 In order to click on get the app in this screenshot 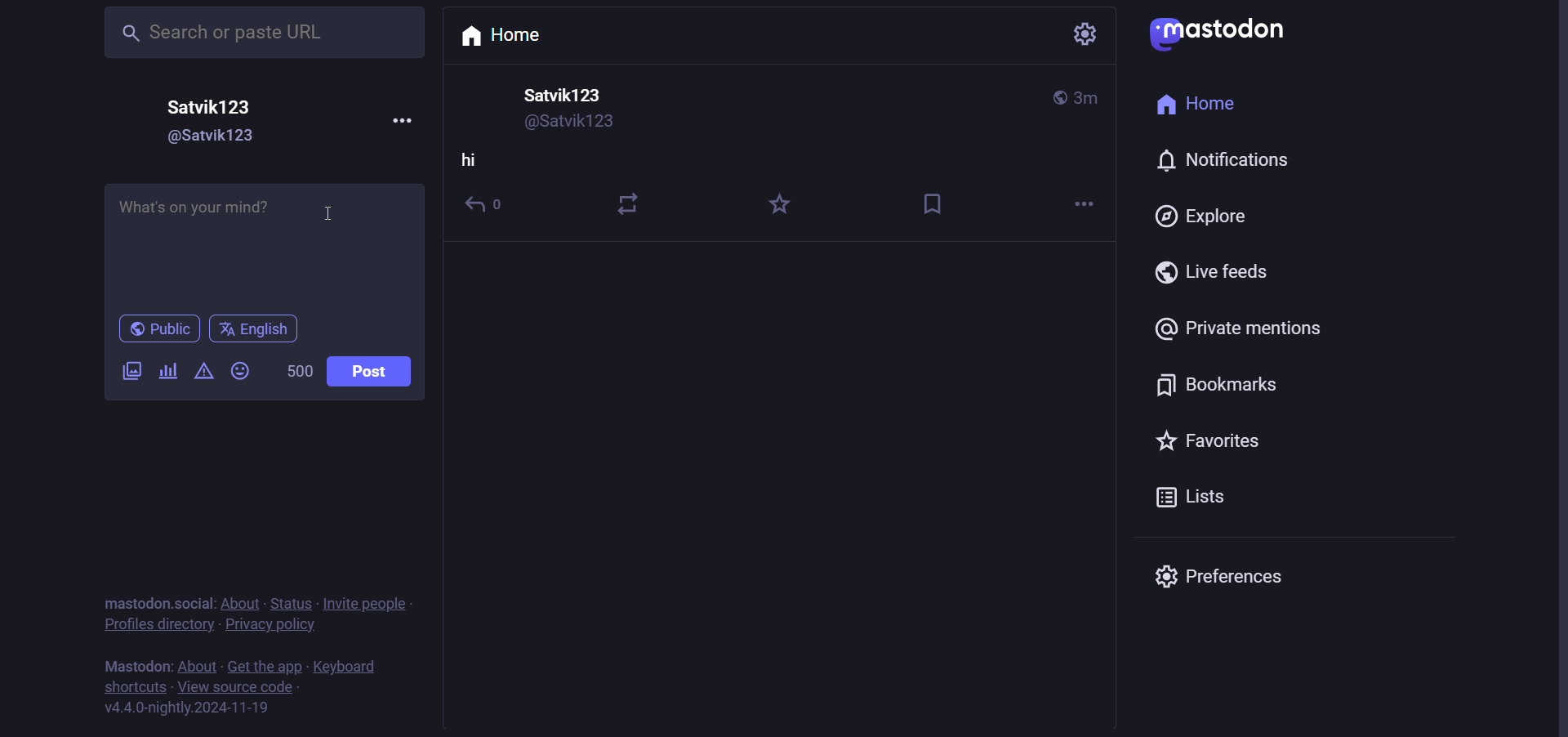, I will do `click(262, 666)`.